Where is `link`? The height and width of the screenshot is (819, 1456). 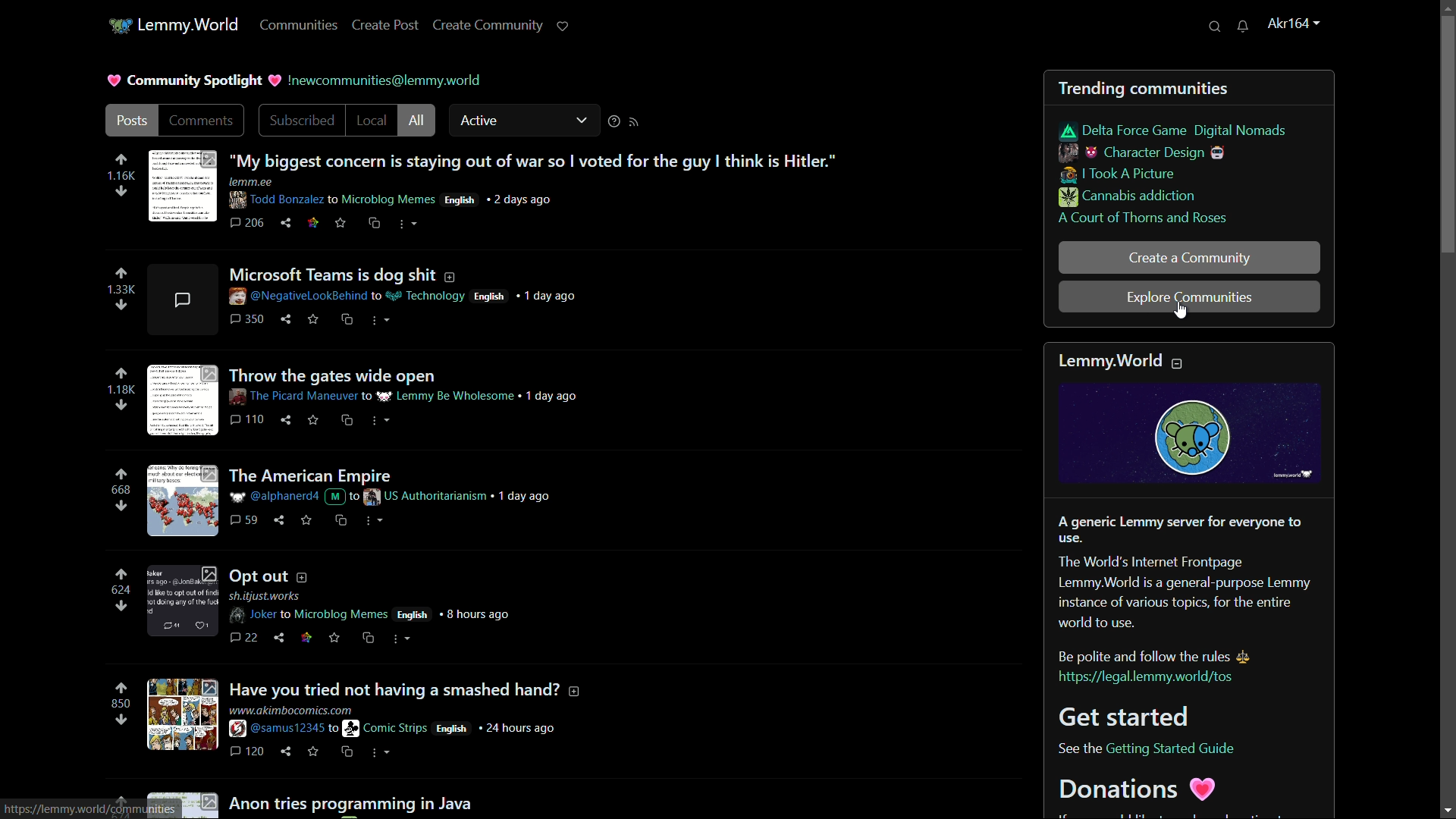
link is located at coordinates (1177, 749).